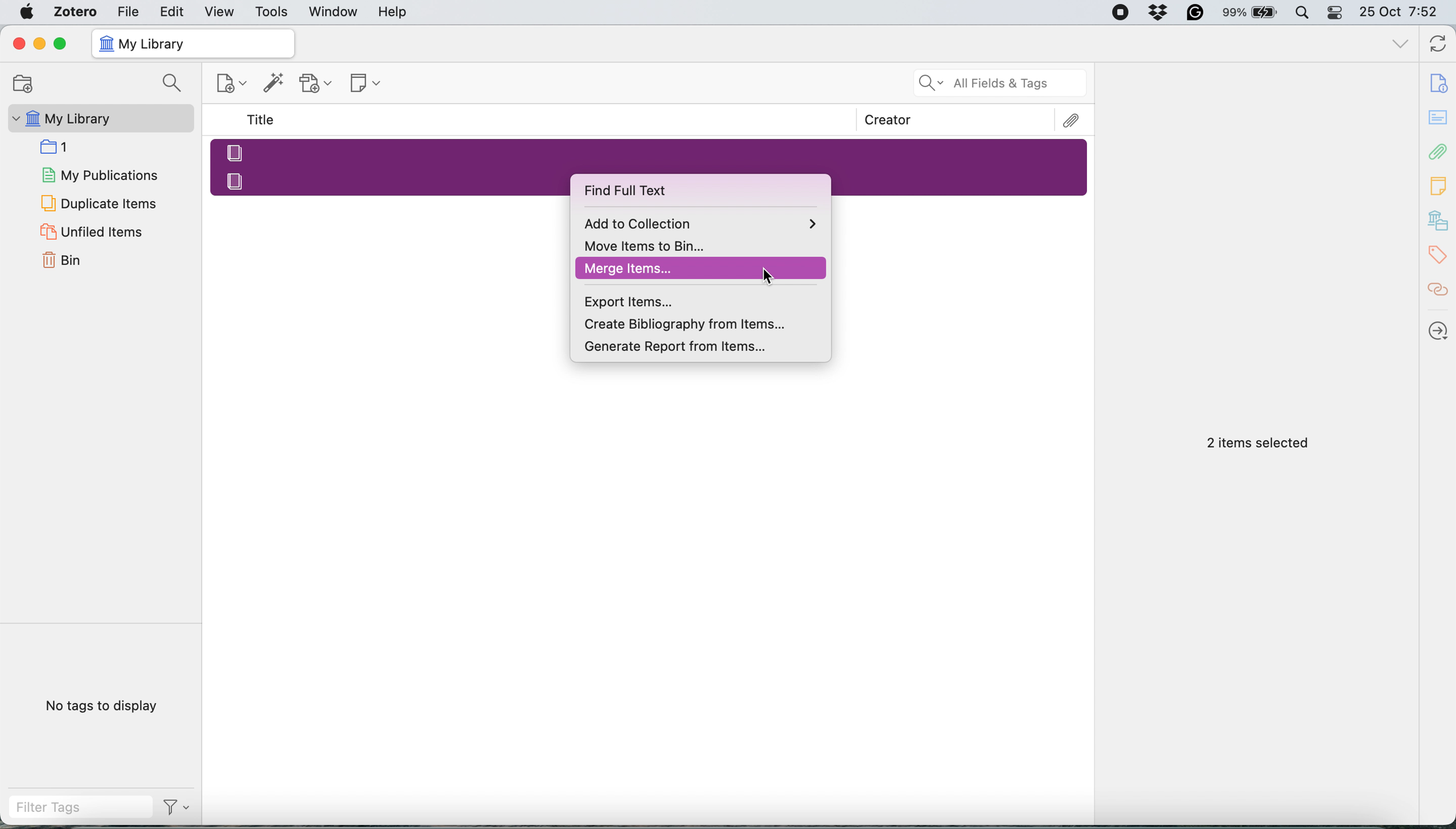 The image size is (1456, 829). I want to click on Spotlight Search, so click(1301, 13).